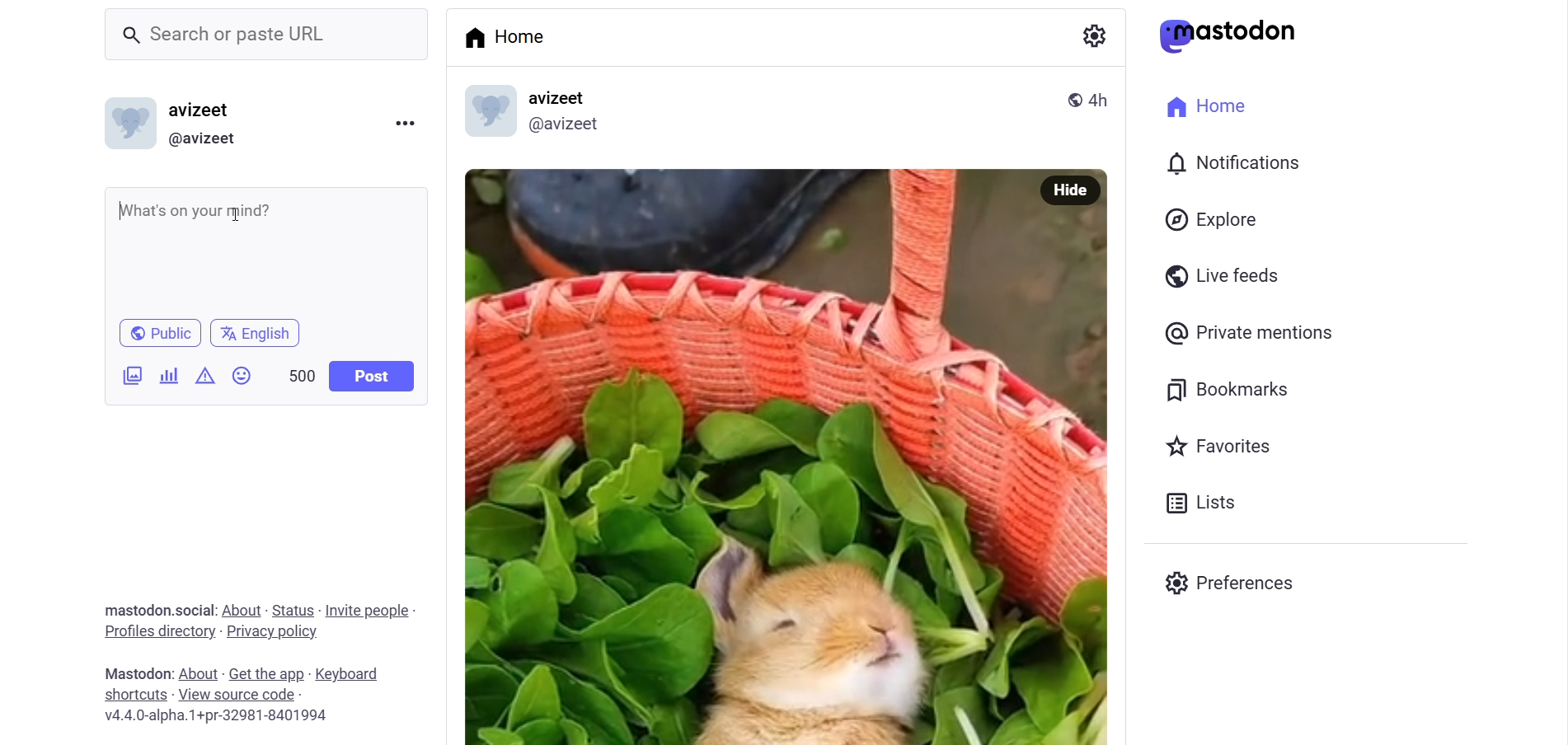 The width and height of the screenshot is (1568, 745). What do you see at coordinates (1069, 189) in the screenshot?
I see `Hide ` at bounding box center [1069, 189].